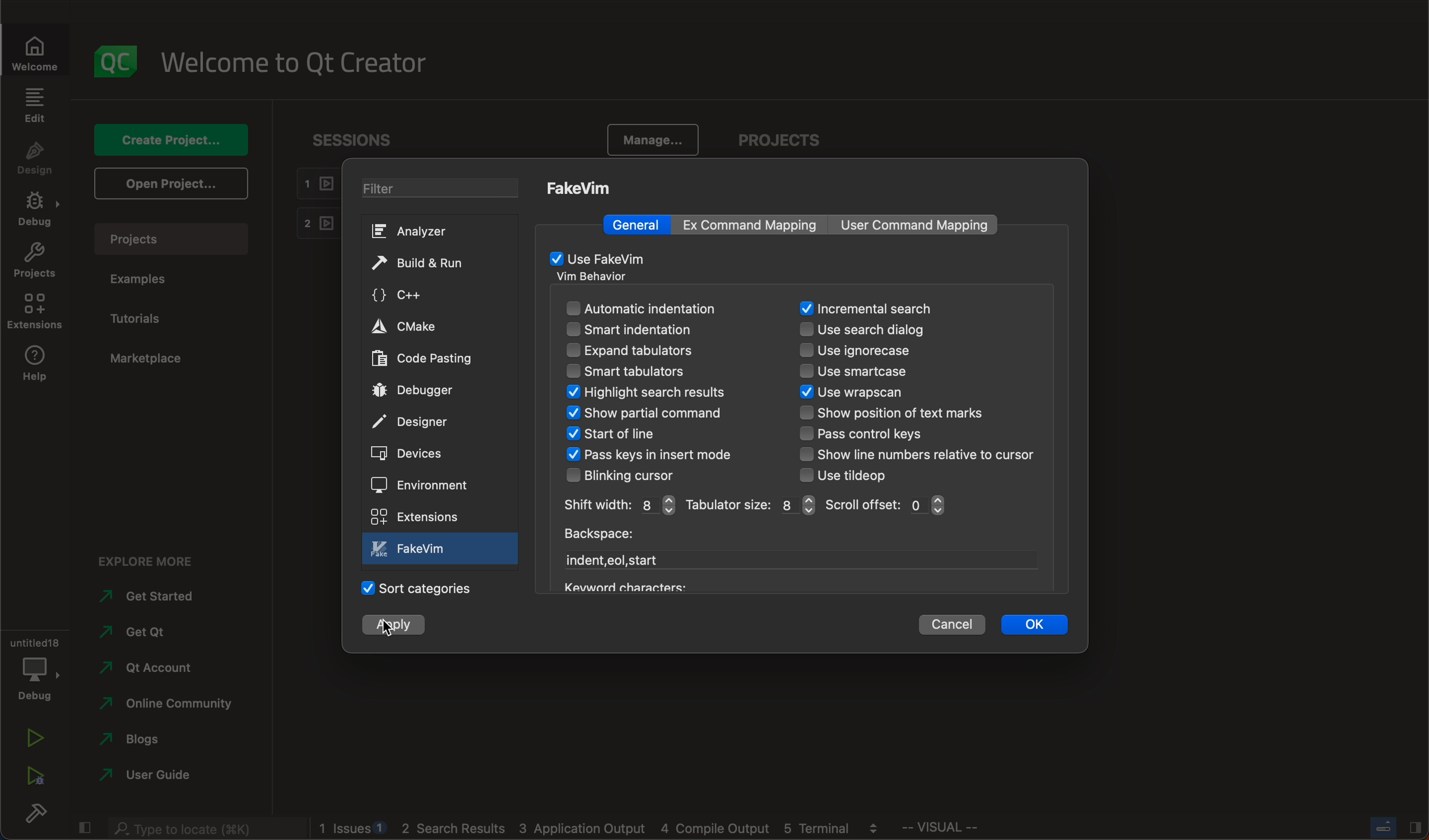 Image resolution: width=1429 pixels, height=840 pixels. I want to click on tutorials, so click(150, 316).